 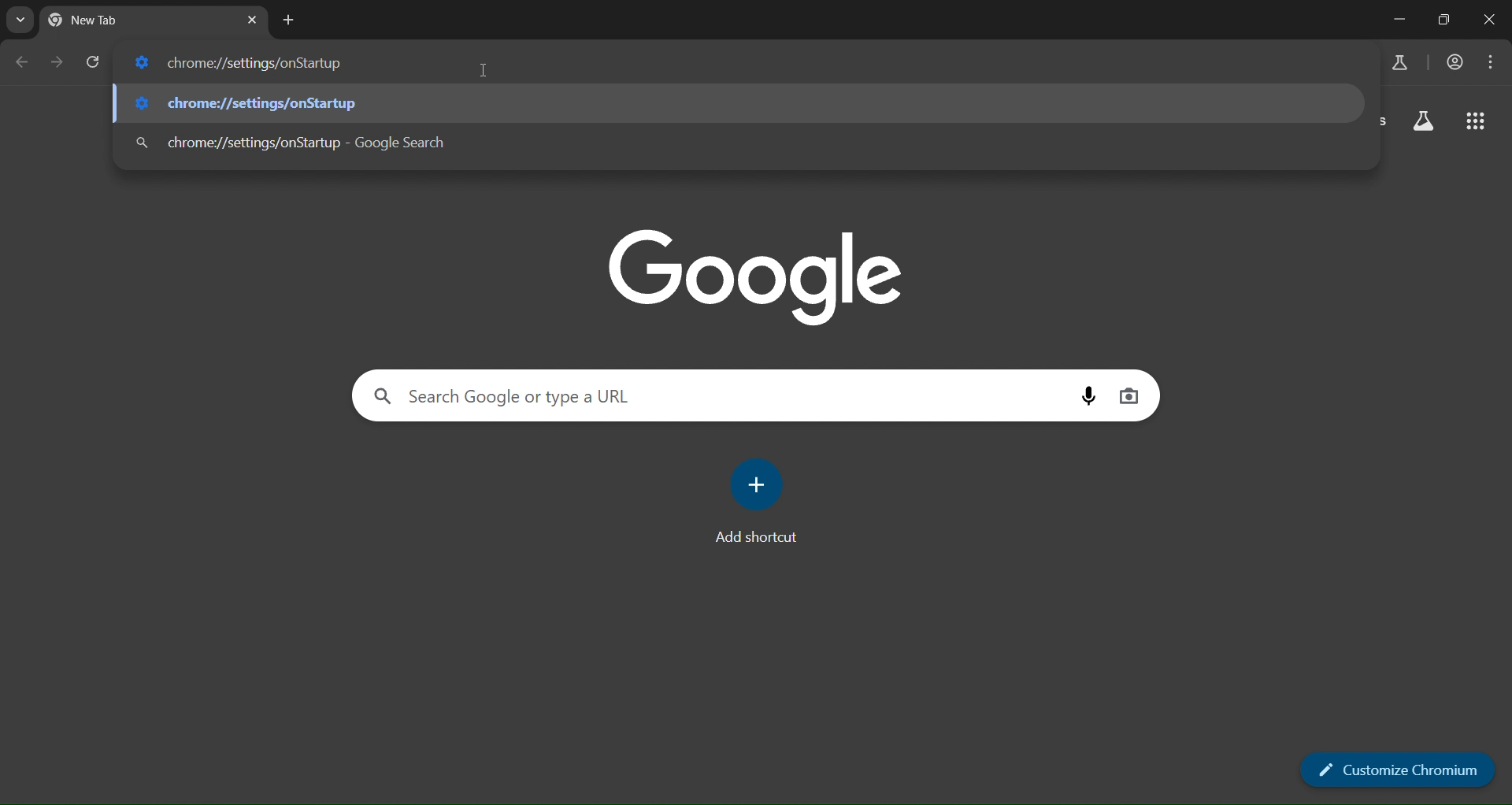 What do you see at coordinates (292, 139) in the screenshot?
I see `chrome://settings/onStartup ` at bounding box center [292, 139].